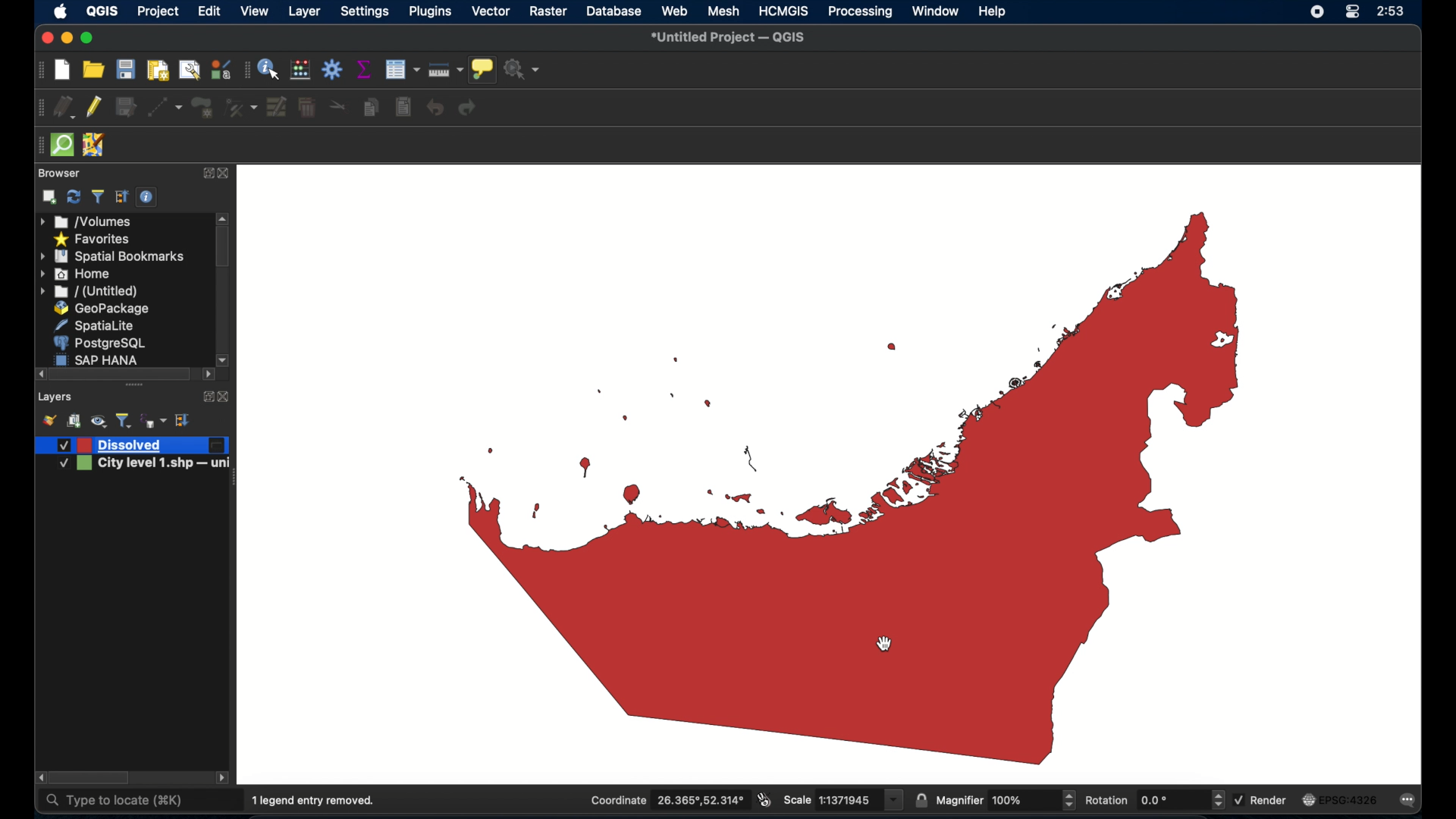  I want to click on cut features, so click(337, 106).